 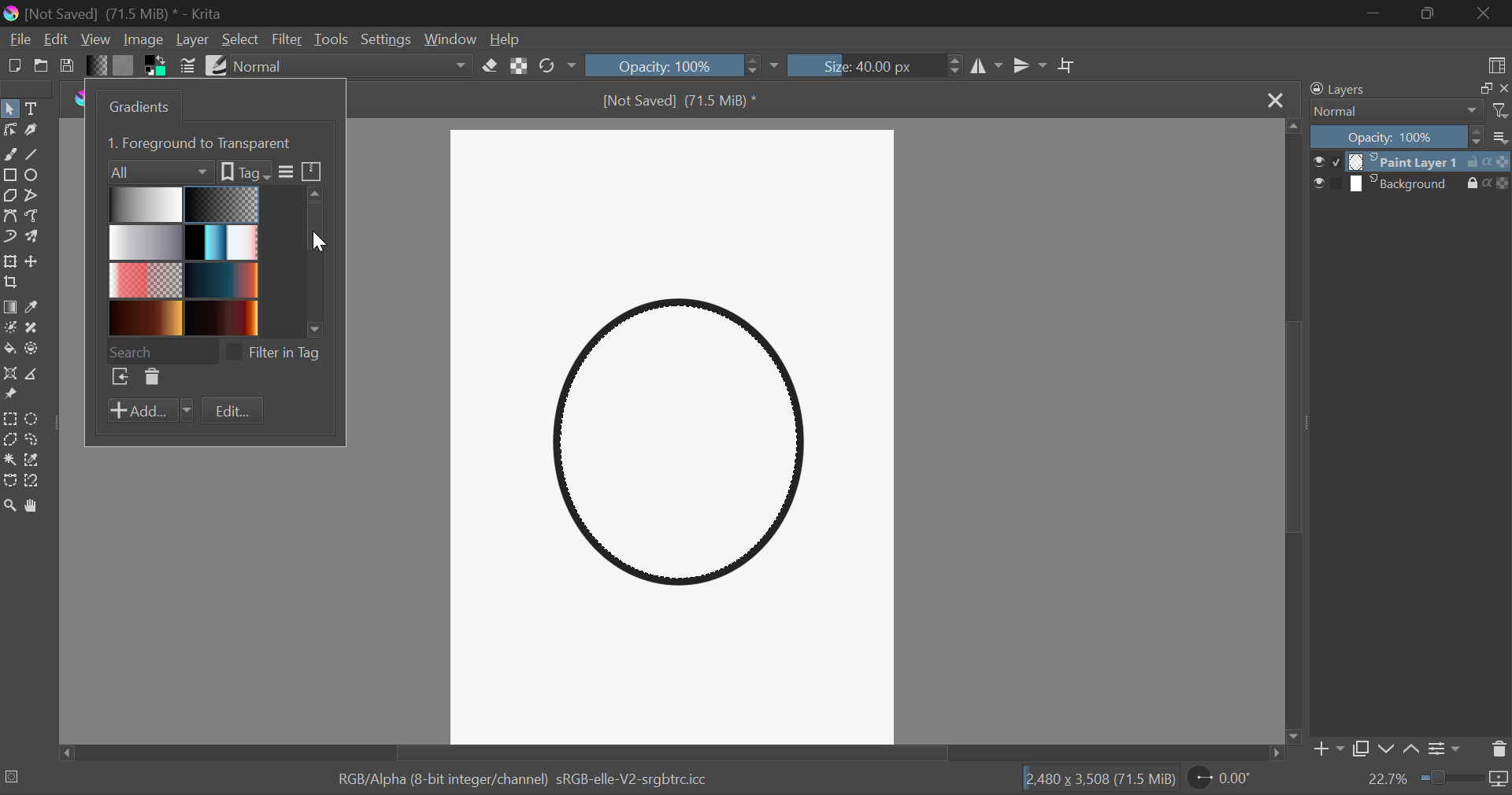 I want to click on Save, so click(x=68, y=66).